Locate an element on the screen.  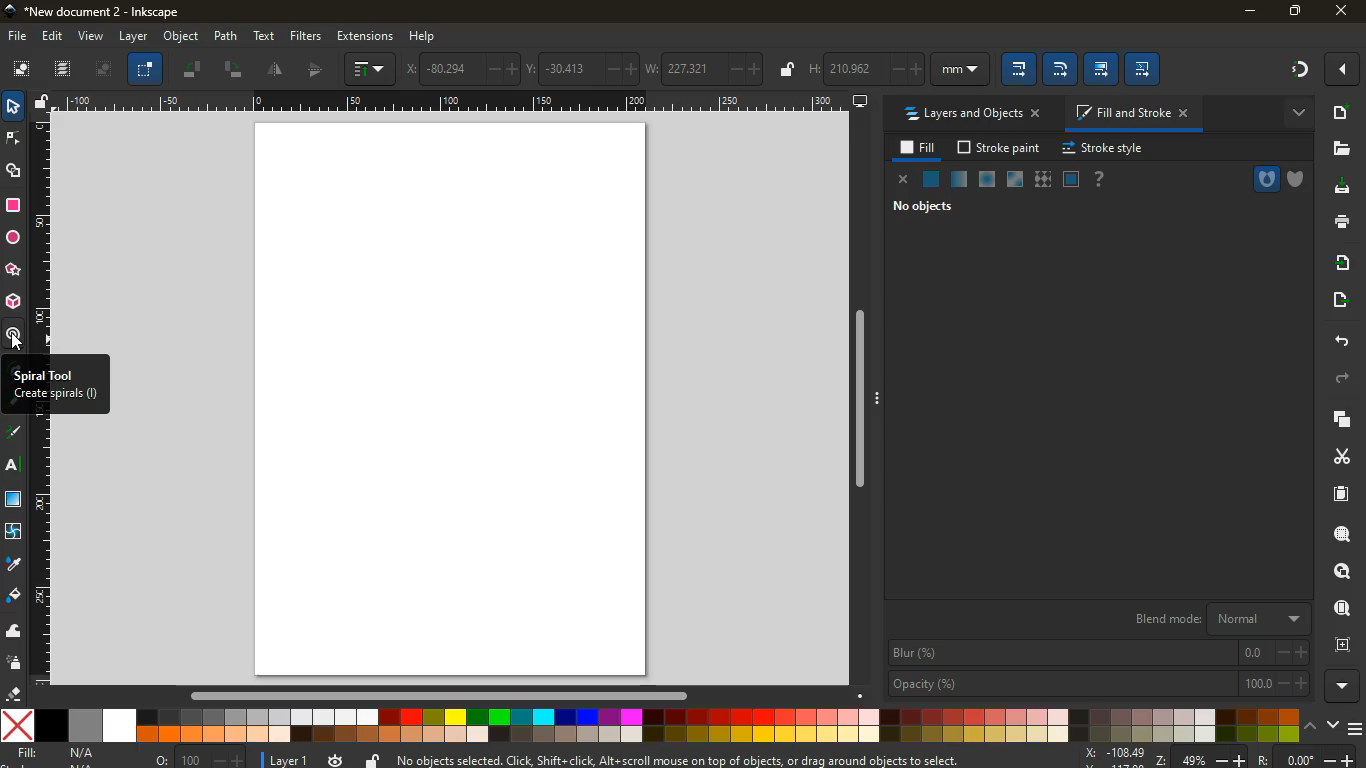
 is located at coordinates (438, 698).